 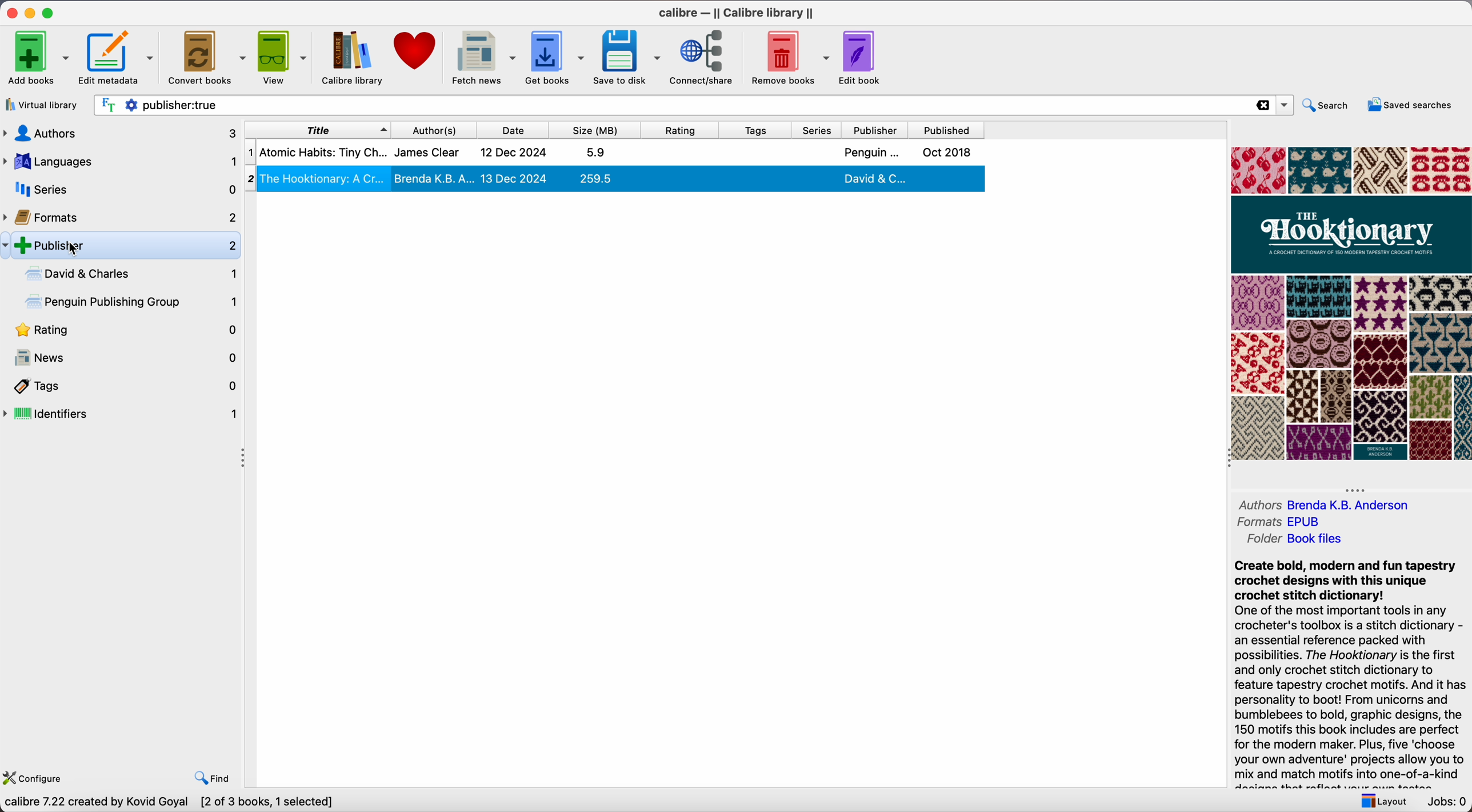 I want to click on saved searches, so click(x=1409, y=104).